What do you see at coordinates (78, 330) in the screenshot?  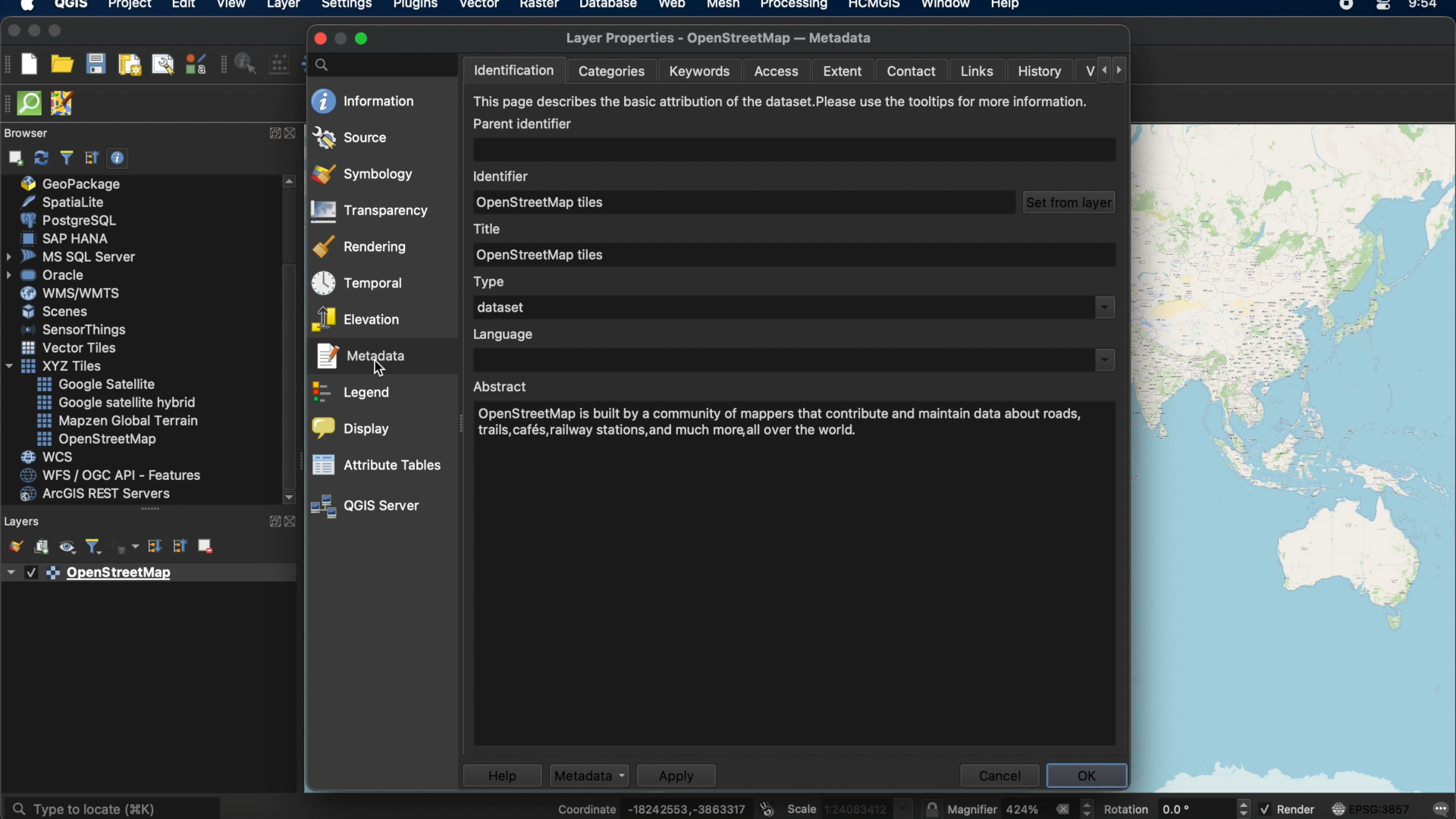 I see `sensor things` at bounding box center [78, 330].